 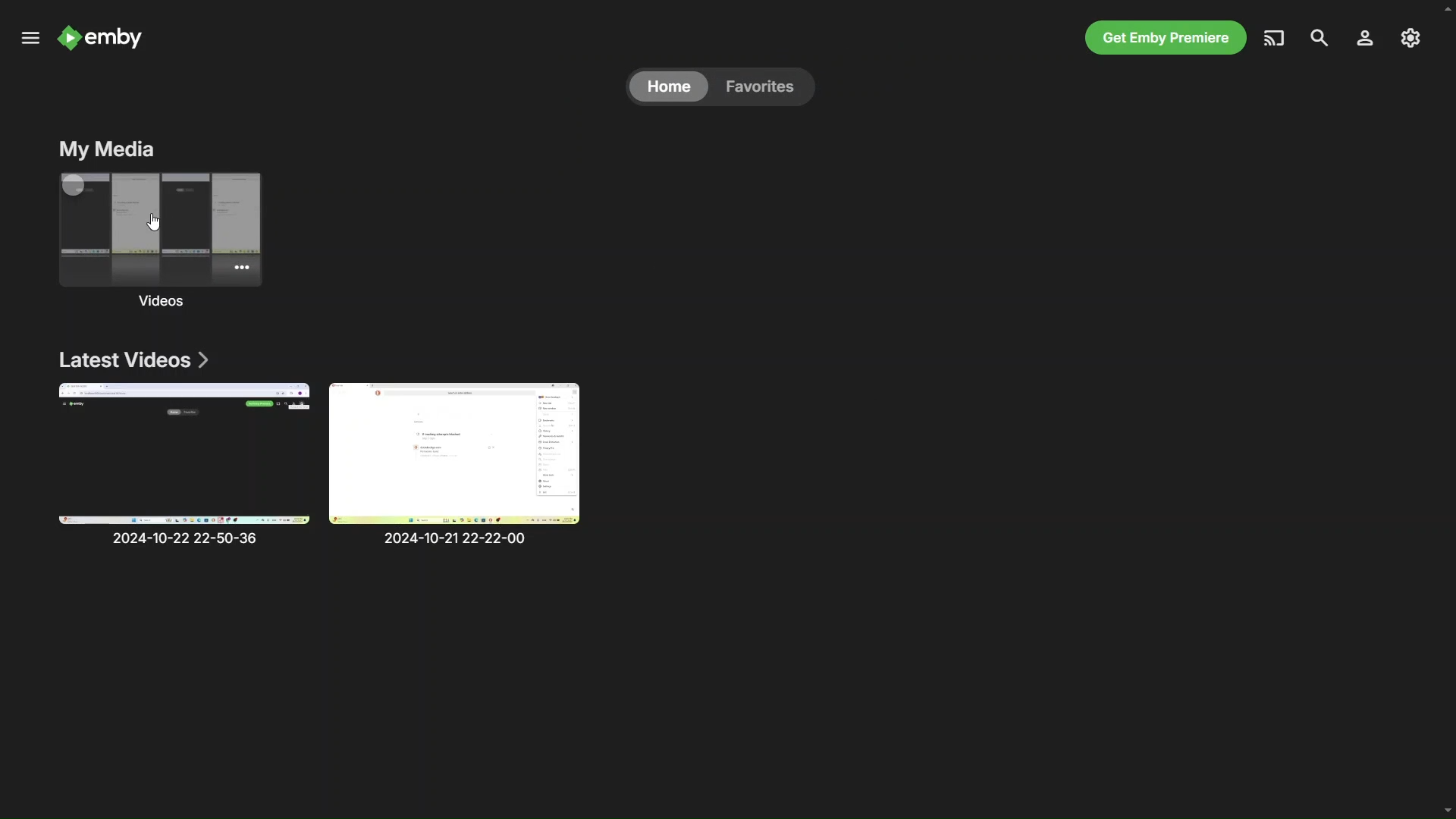 I want to click on search, so click(x=1318, y=36).